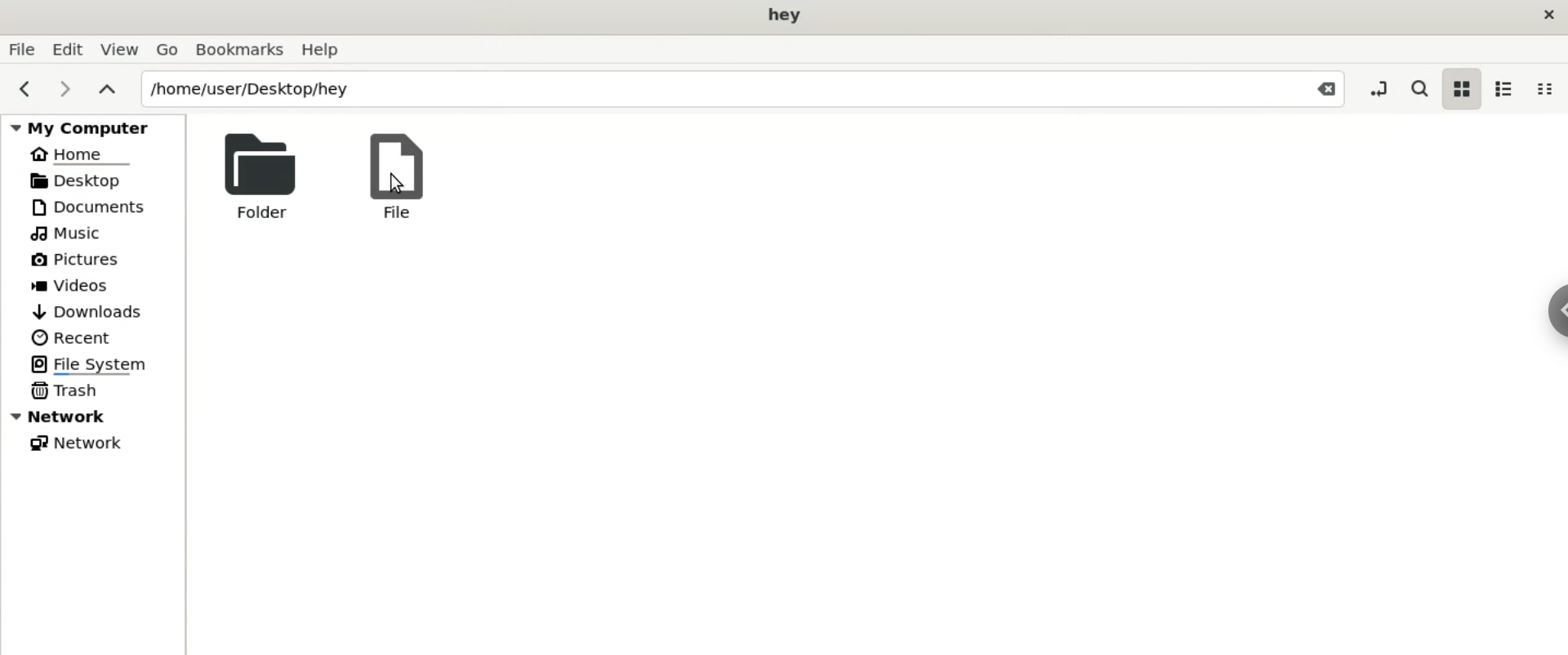 This screenshot has height=655, width=1568. What do you see at coordinates (1545, 16) in the screenshot?
I see `close` at bounding box center [1545, 16].